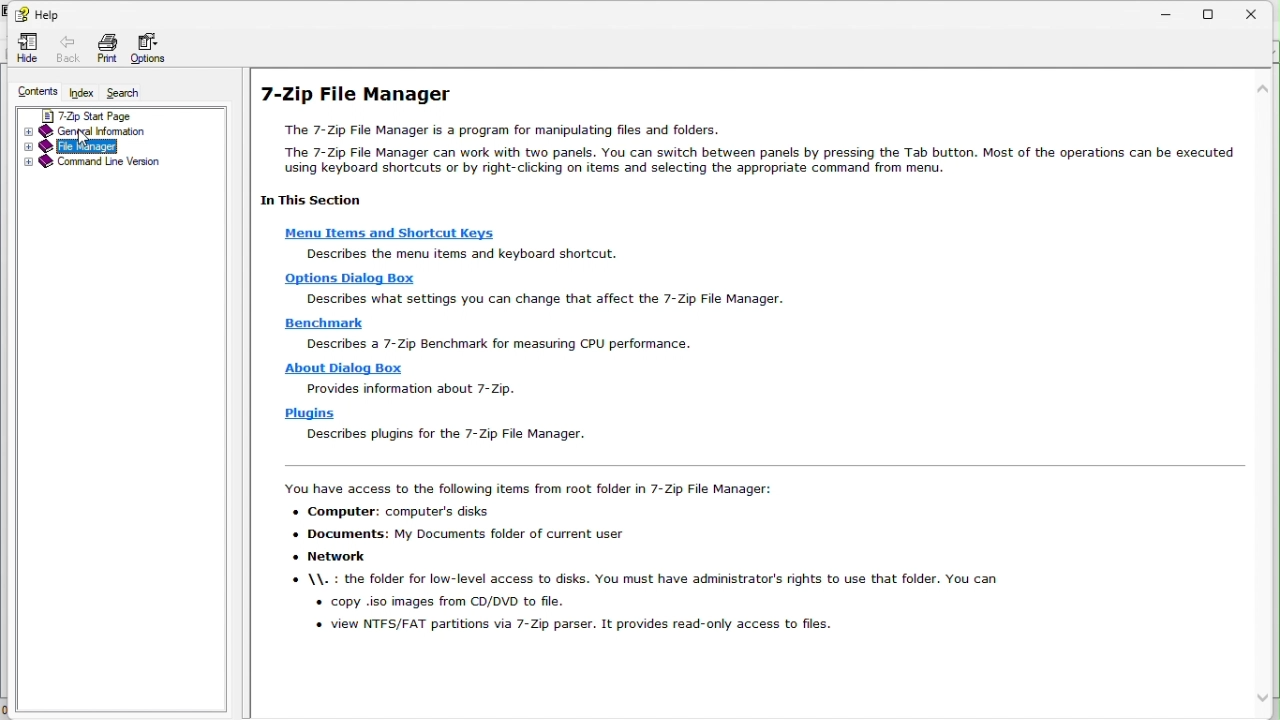  Describe the element at coordinates (86, 92) in the screenshot. I see `Index` at that location.